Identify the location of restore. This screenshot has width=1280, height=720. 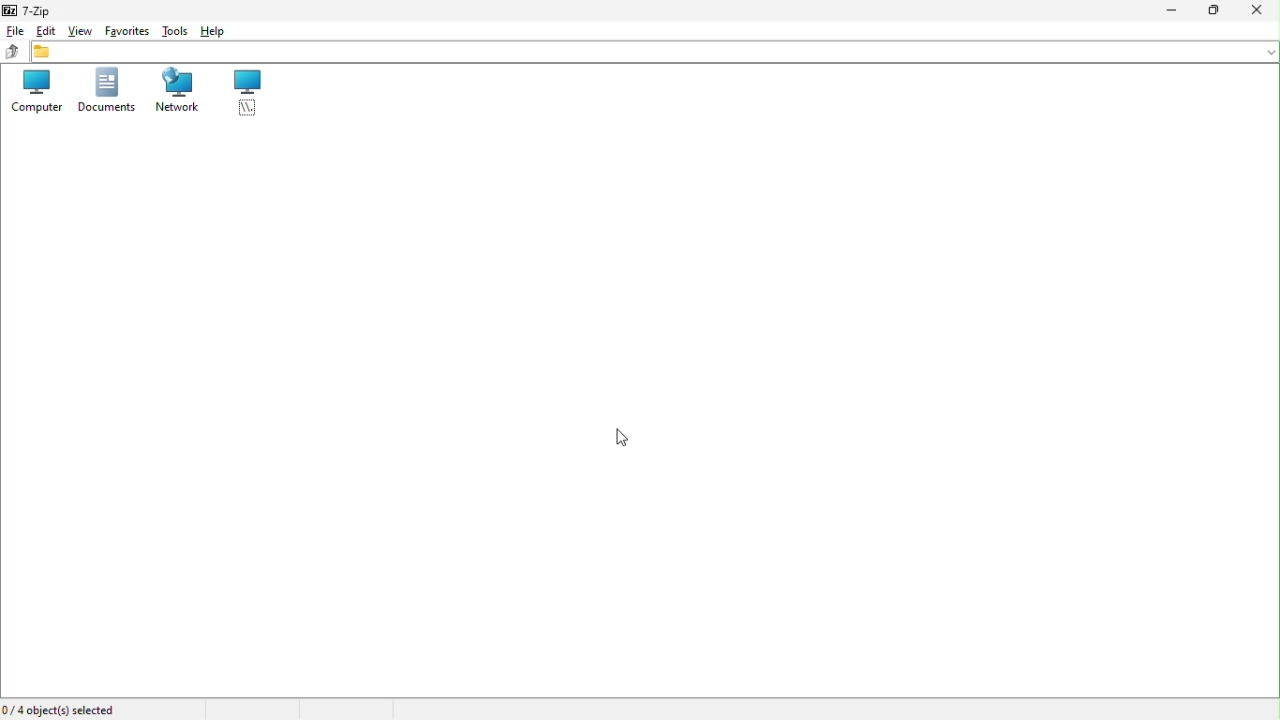
(1218, 11).